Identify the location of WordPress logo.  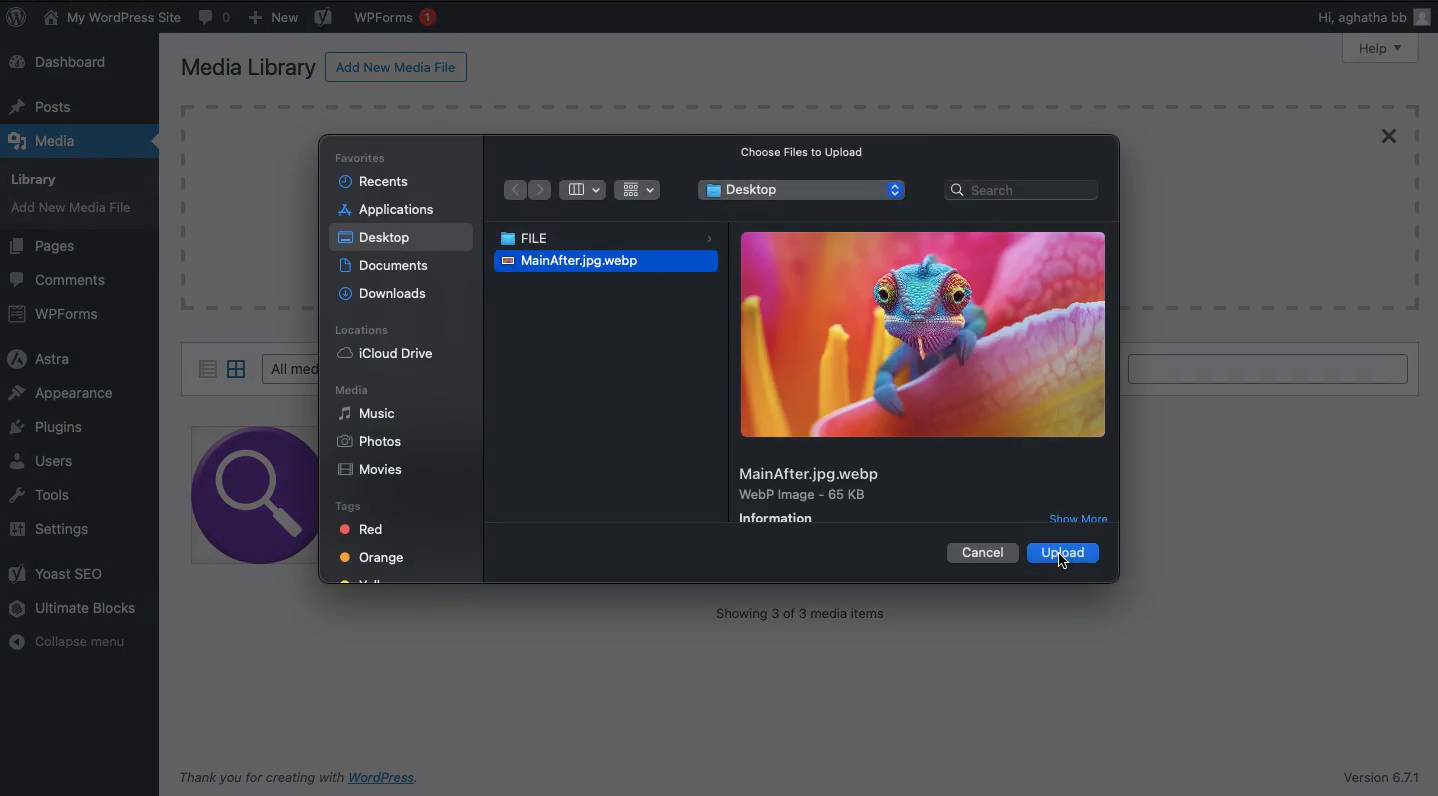
(16, 17).